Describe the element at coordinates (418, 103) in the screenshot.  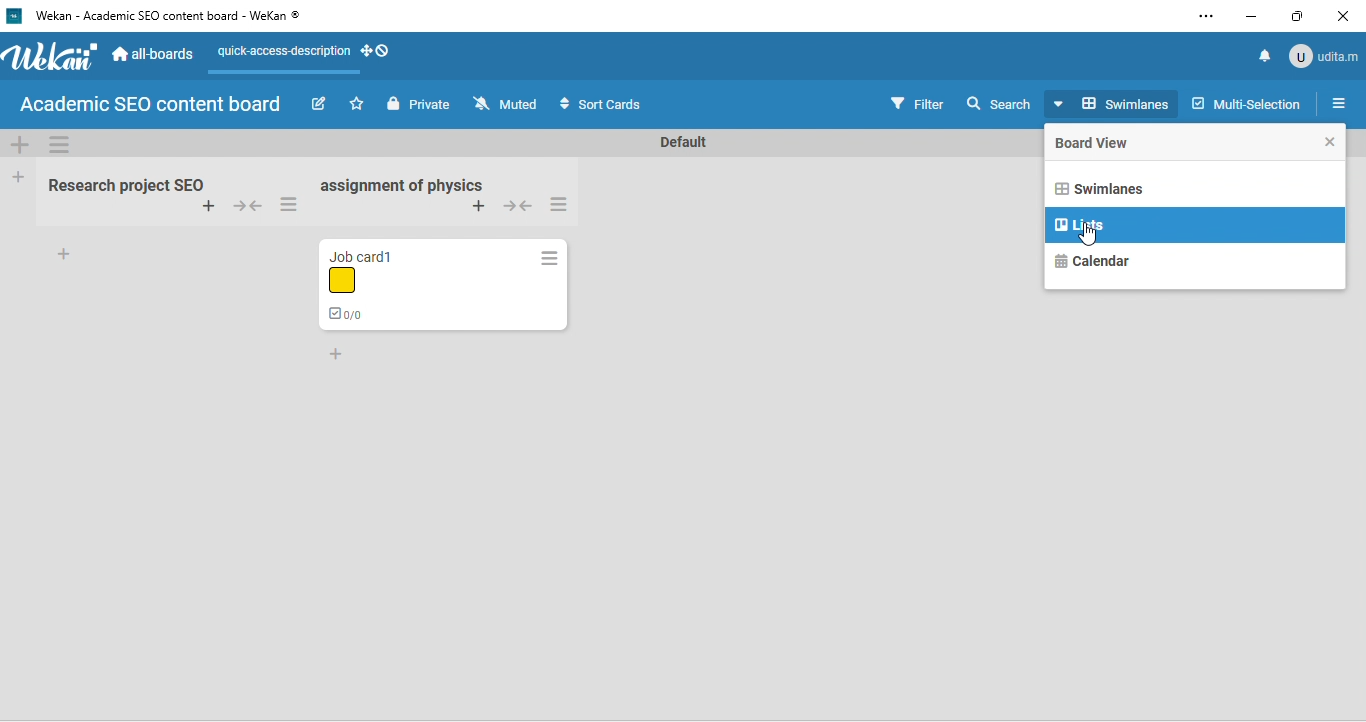
I see `private` at that location.